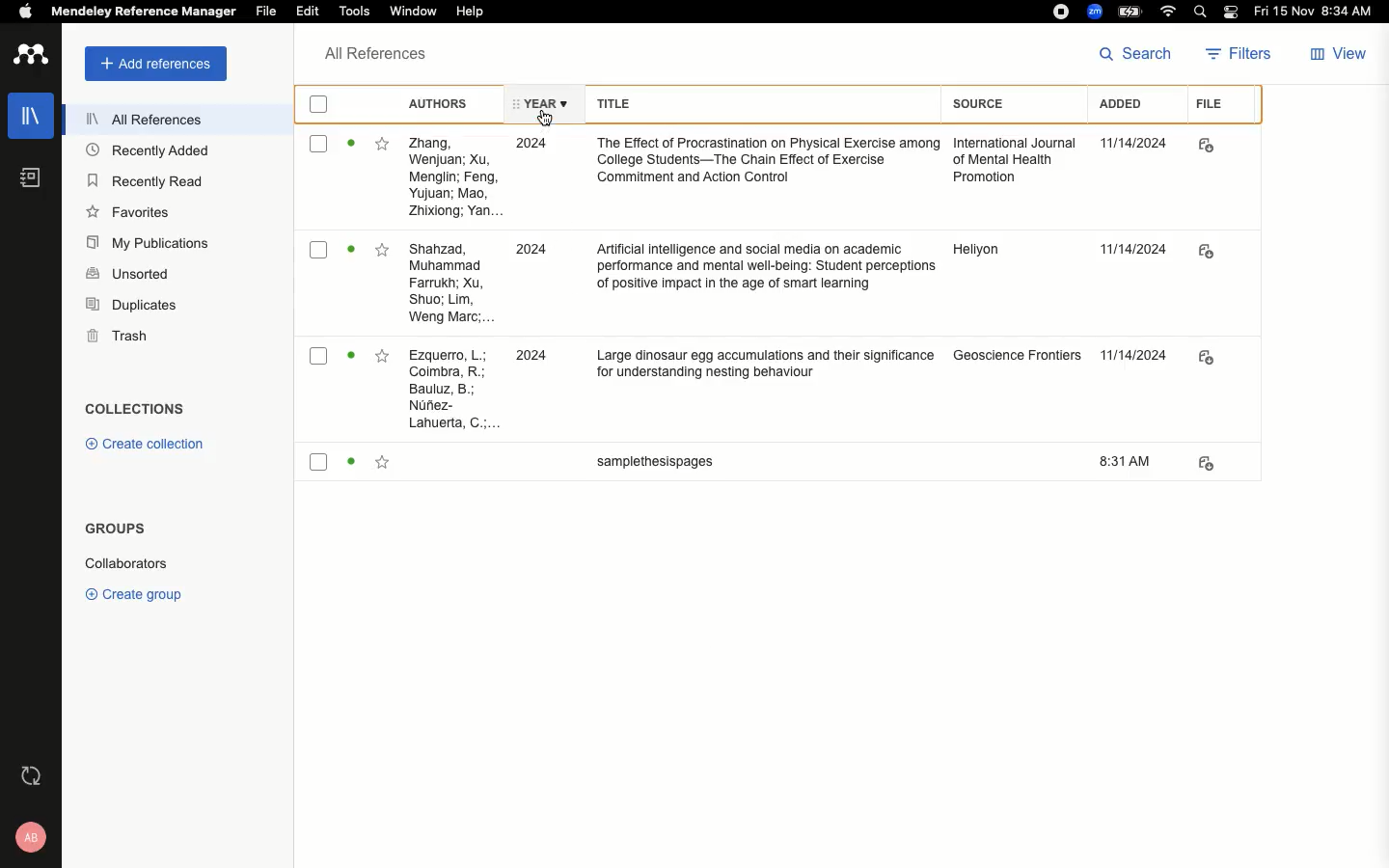 Image resolution: width=1389 pixels, height=868 pixels. What do you see at coordinates (139, 411) in the screenshot?
I see `Collections` at bounding box center [139, 411].